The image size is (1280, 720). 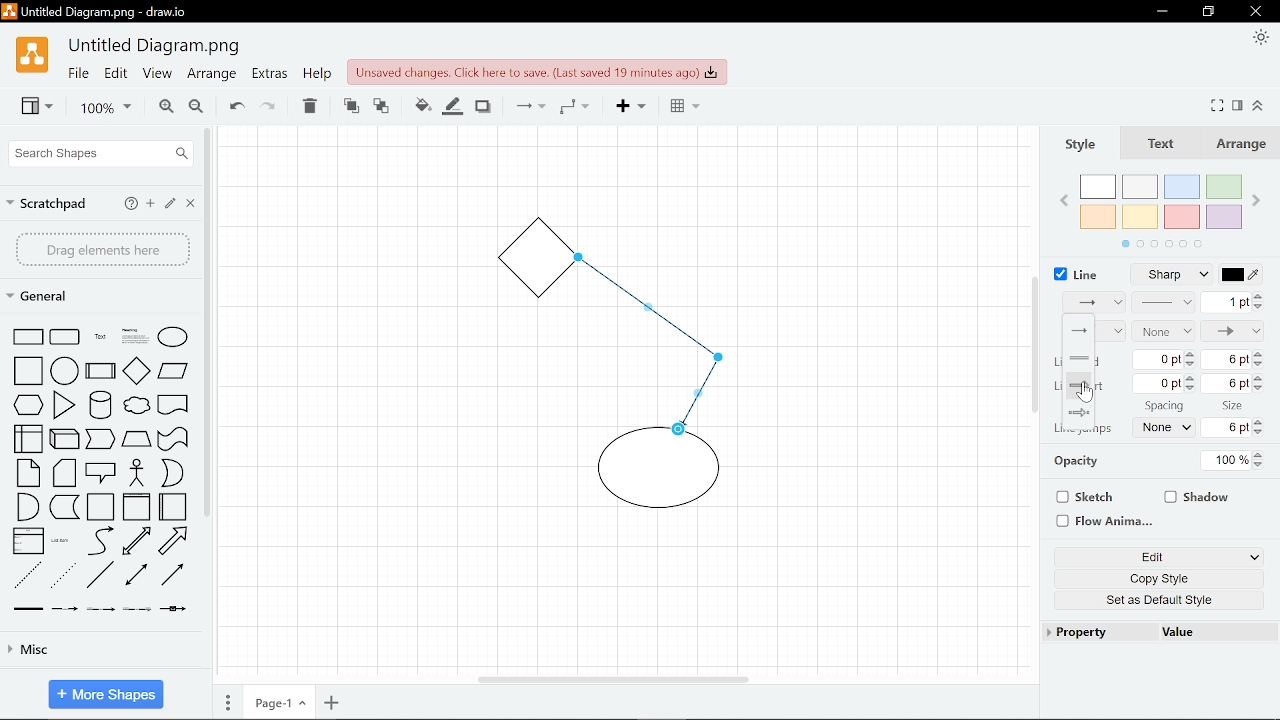 What do you see at coordinates (102, 249) in the screenshot?
I see `Drag elements here` at bounding box center [102, 249].